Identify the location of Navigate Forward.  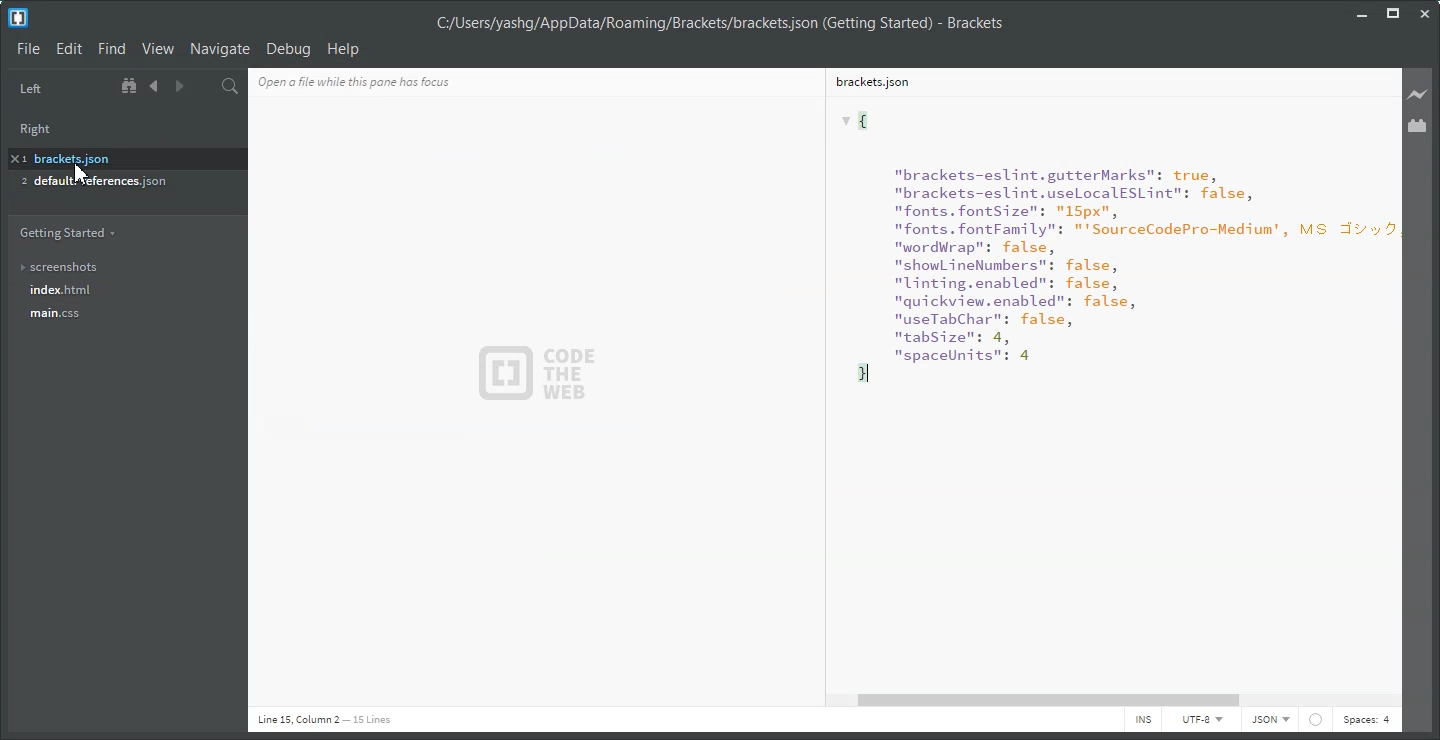
(177, 87).